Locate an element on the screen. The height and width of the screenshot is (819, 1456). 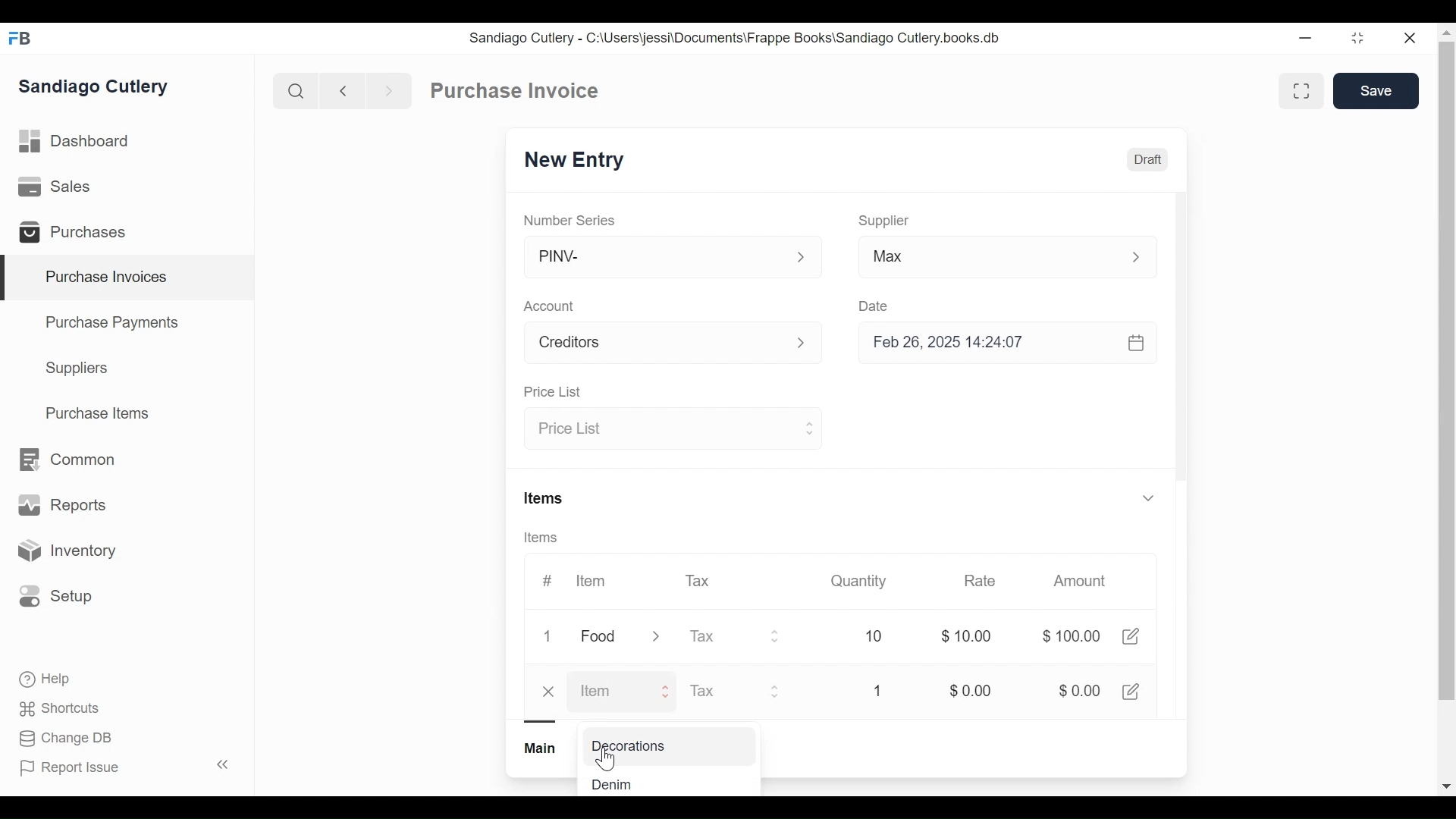
New Entry is located at coordinates (574, 160).